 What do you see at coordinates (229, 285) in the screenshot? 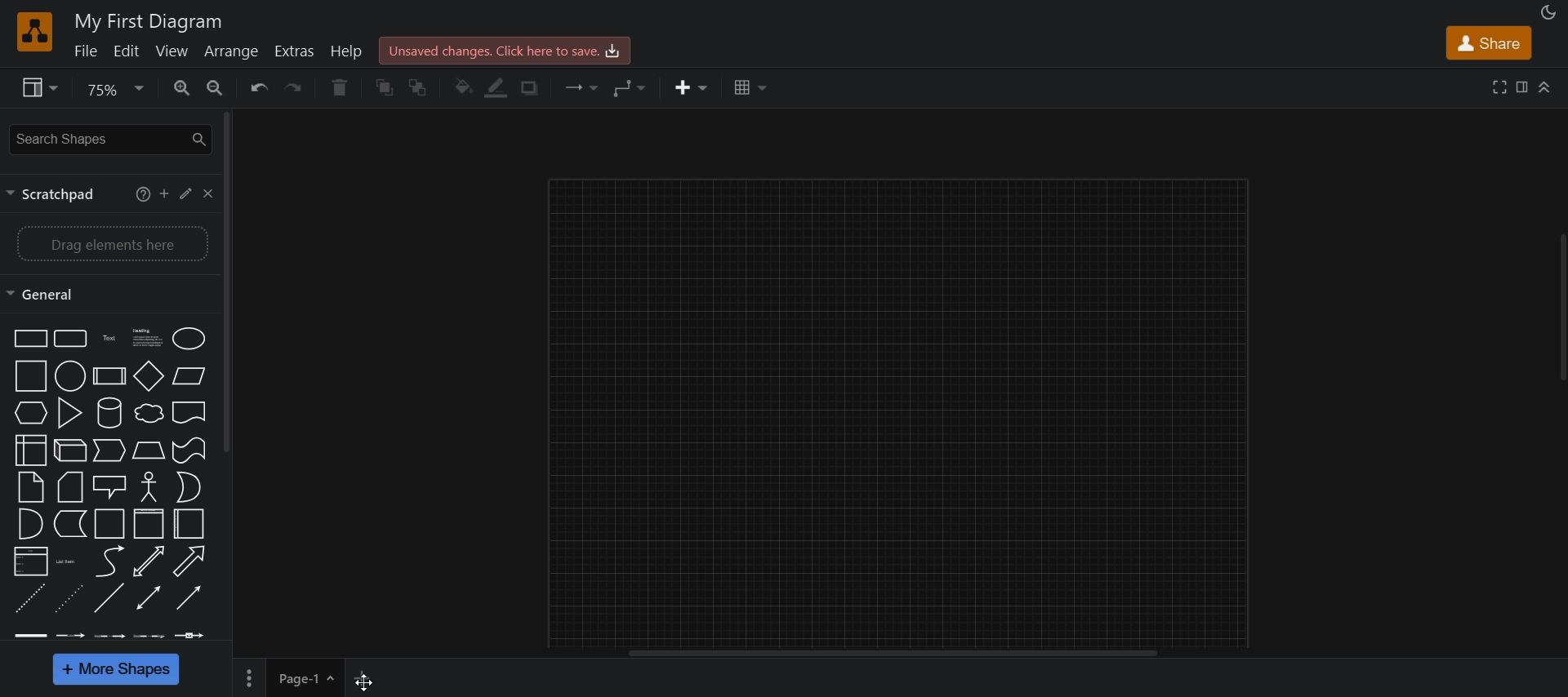
I see `vertical scroll bar` at bounding box center [229, 285].